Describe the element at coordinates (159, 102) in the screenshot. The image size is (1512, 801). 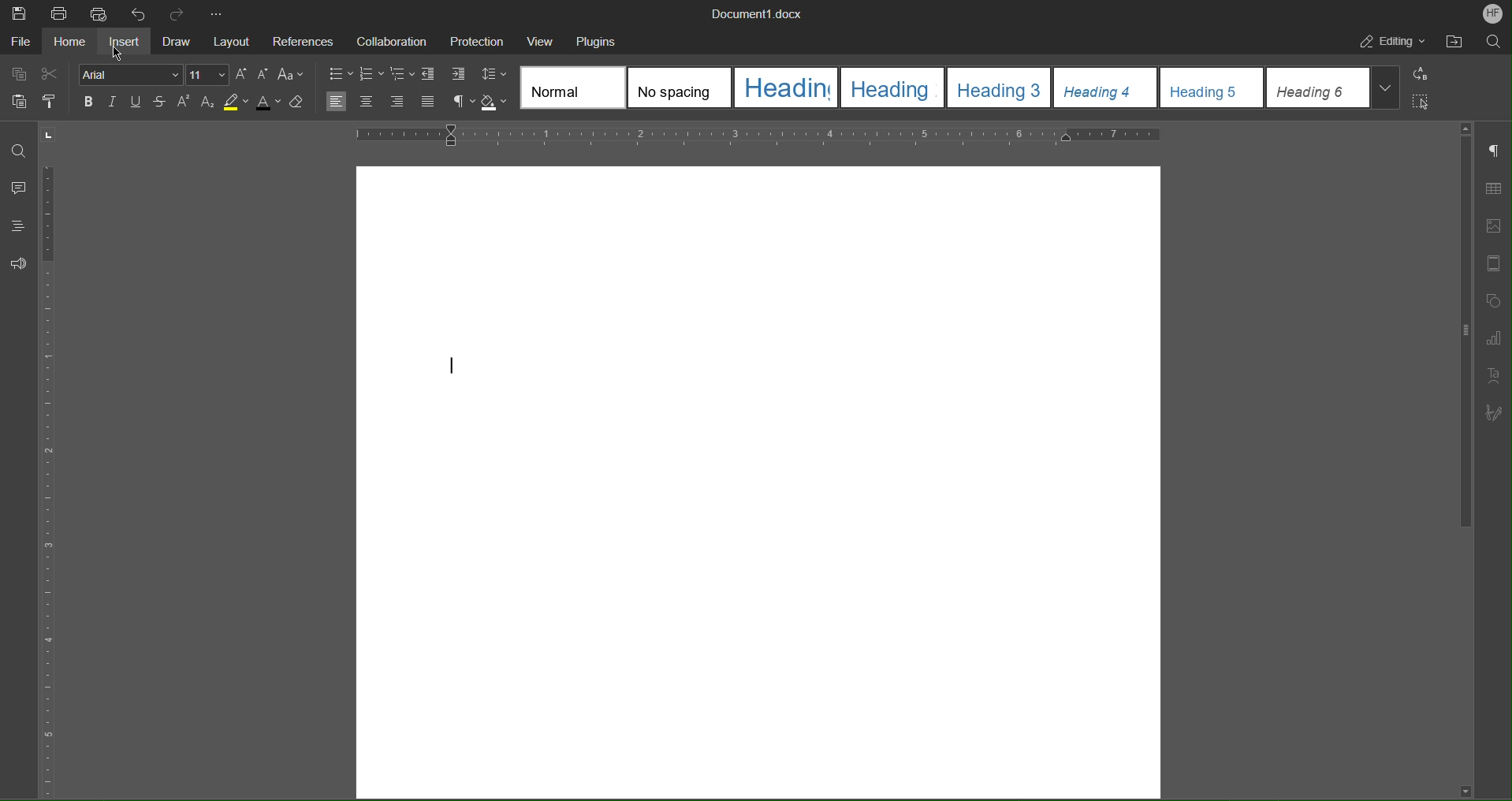
I see `Strikethrough` at that location.